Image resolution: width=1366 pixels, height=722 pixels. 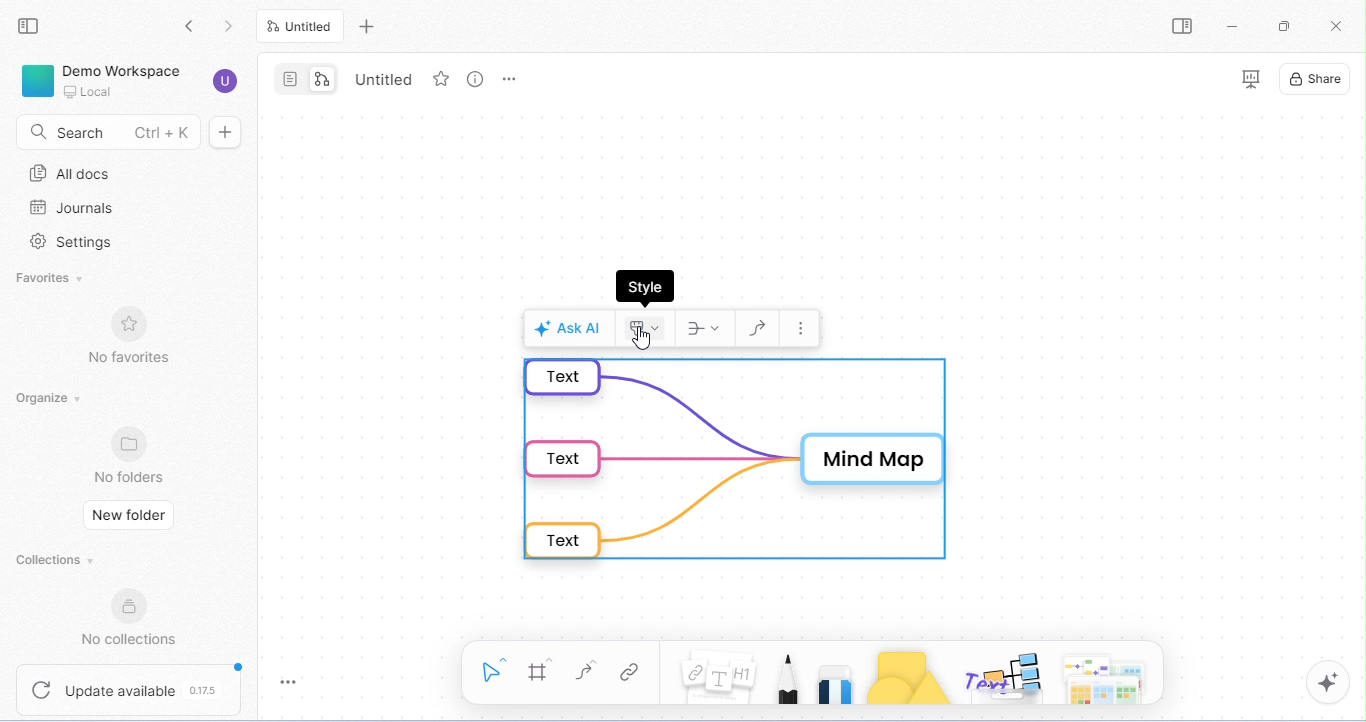 What do you see at coordinates (289, 79) in the screenshot?
I see `page mode` at bounding box center [289, 79].